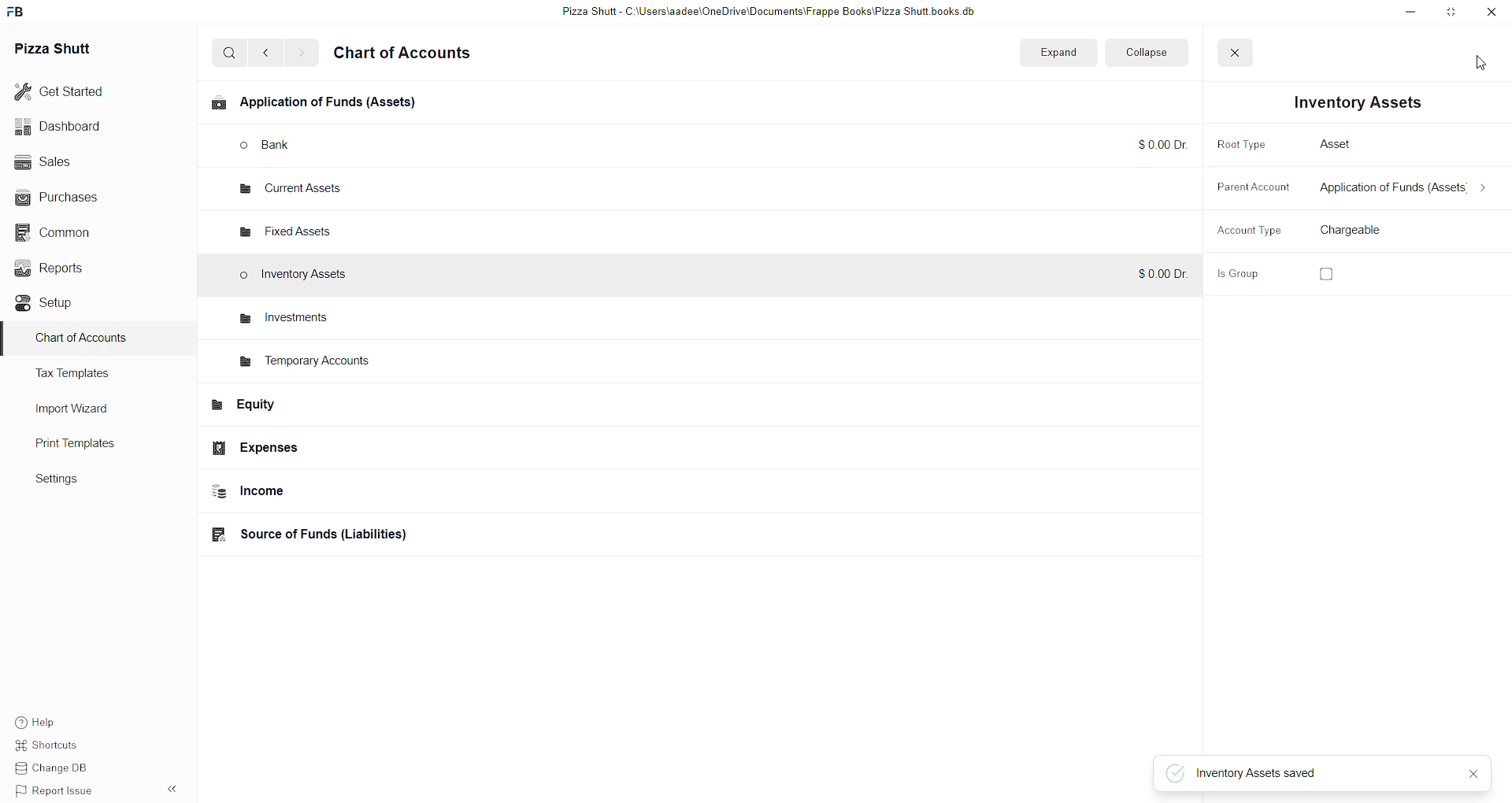 Image resolution: width=1512 pixels, height=803 pixels. What do you see at coordinates (1240, 231) in the screenshot?
I see `Account Type` at bounding box center [1240, 231].